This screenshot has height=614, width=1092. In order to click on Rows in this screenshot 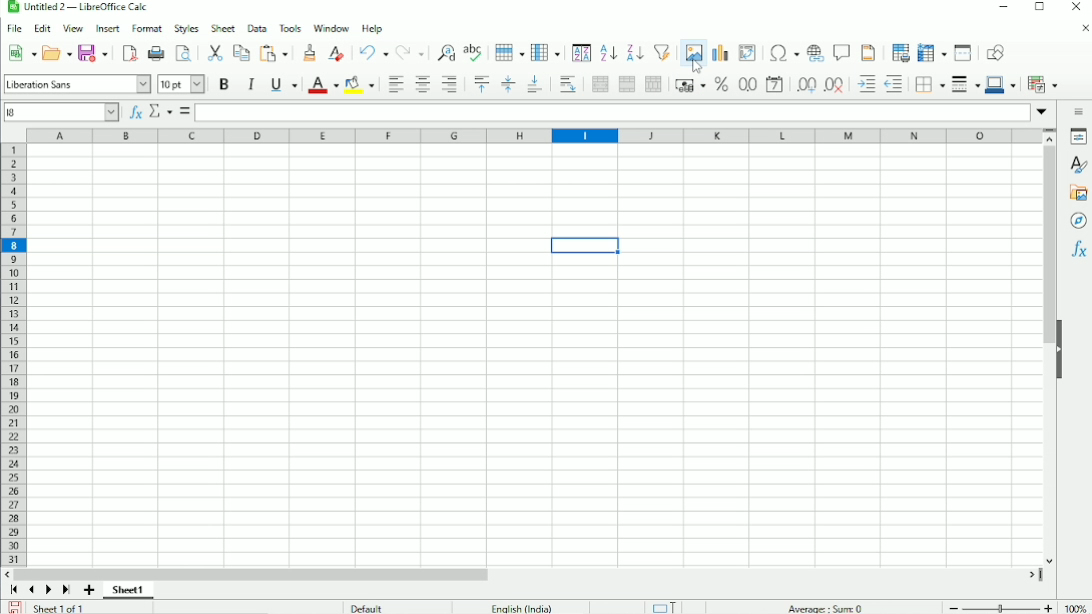, I will do `click(509, 54)`.